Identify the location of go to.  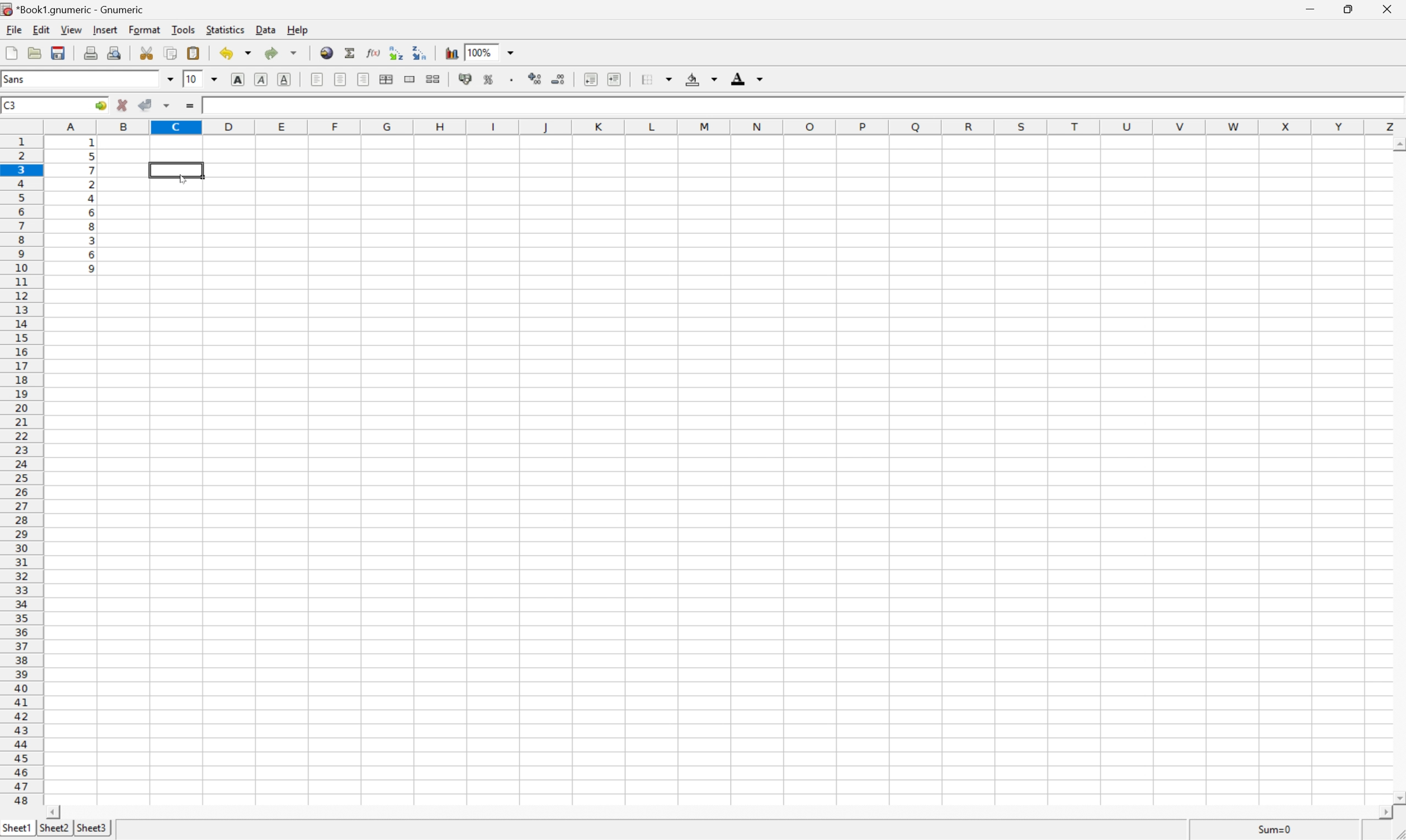
(101, 105).